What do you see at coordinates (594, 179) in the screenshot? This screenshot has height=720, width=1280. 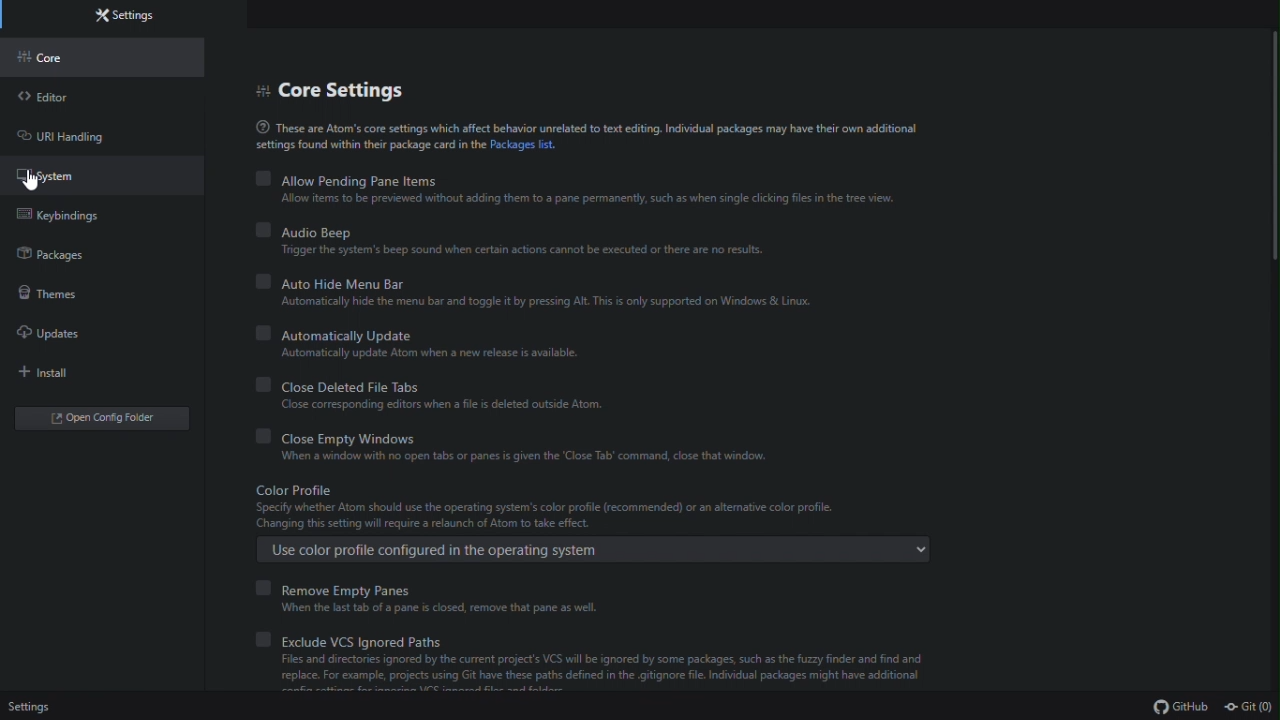 I see `allow pending pane items` at bounding box center [594, 179].